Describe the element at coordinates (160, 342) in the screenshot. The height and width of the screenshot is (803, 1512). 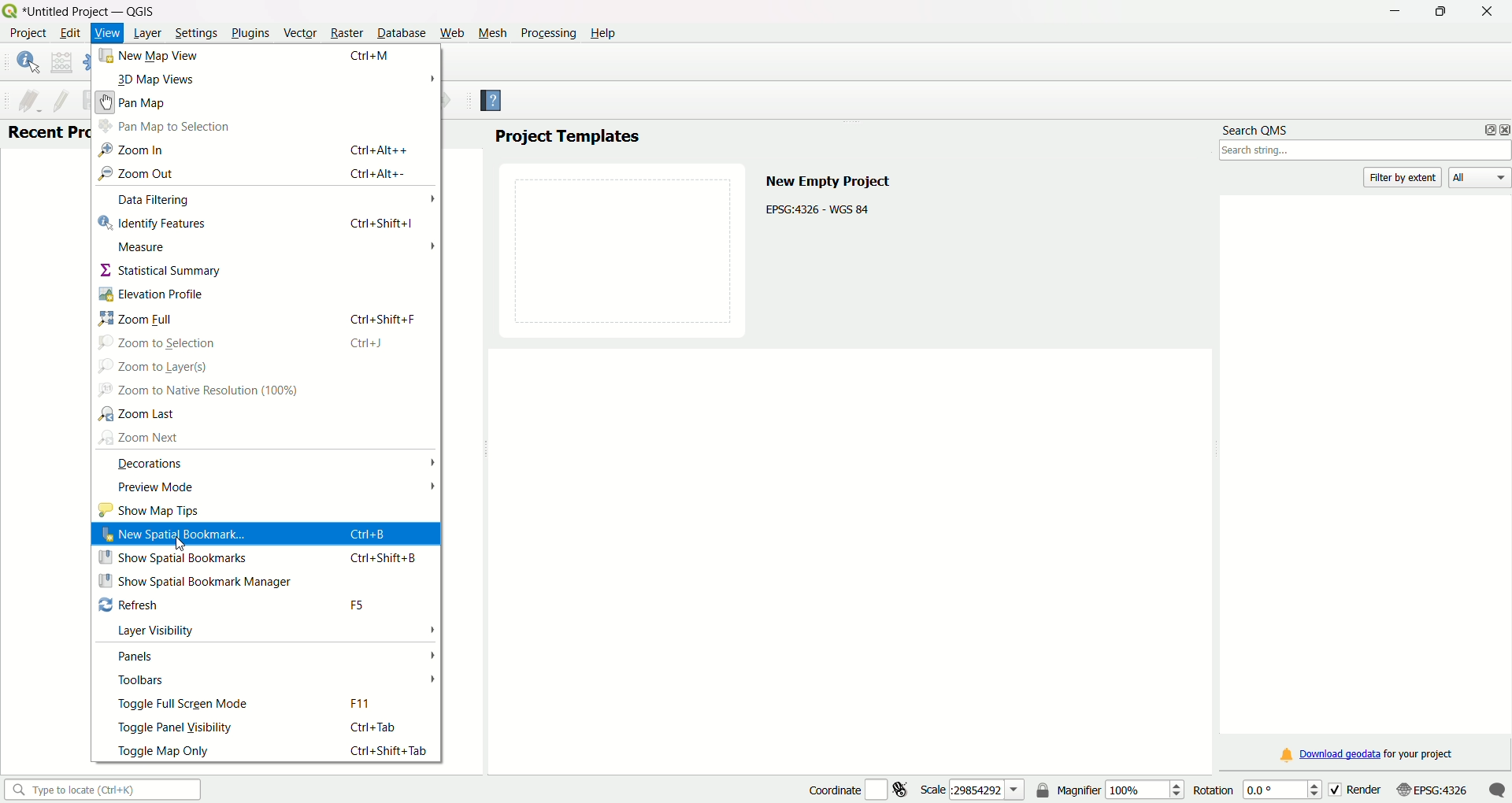
I see `zoom to selection` at that location.